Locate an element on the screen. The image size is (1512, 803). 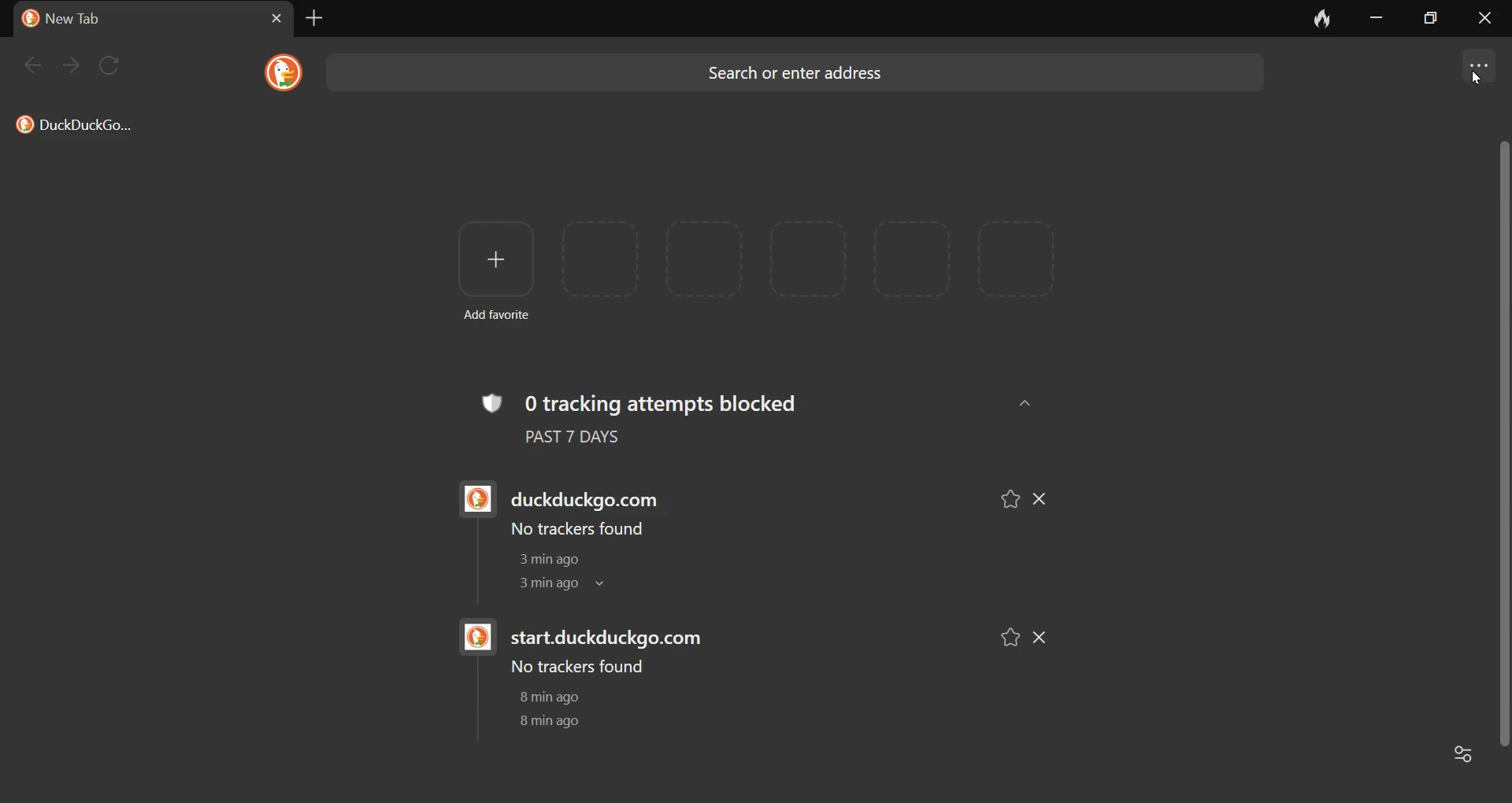
duckduck go logo is located at coordinates (473, 638).